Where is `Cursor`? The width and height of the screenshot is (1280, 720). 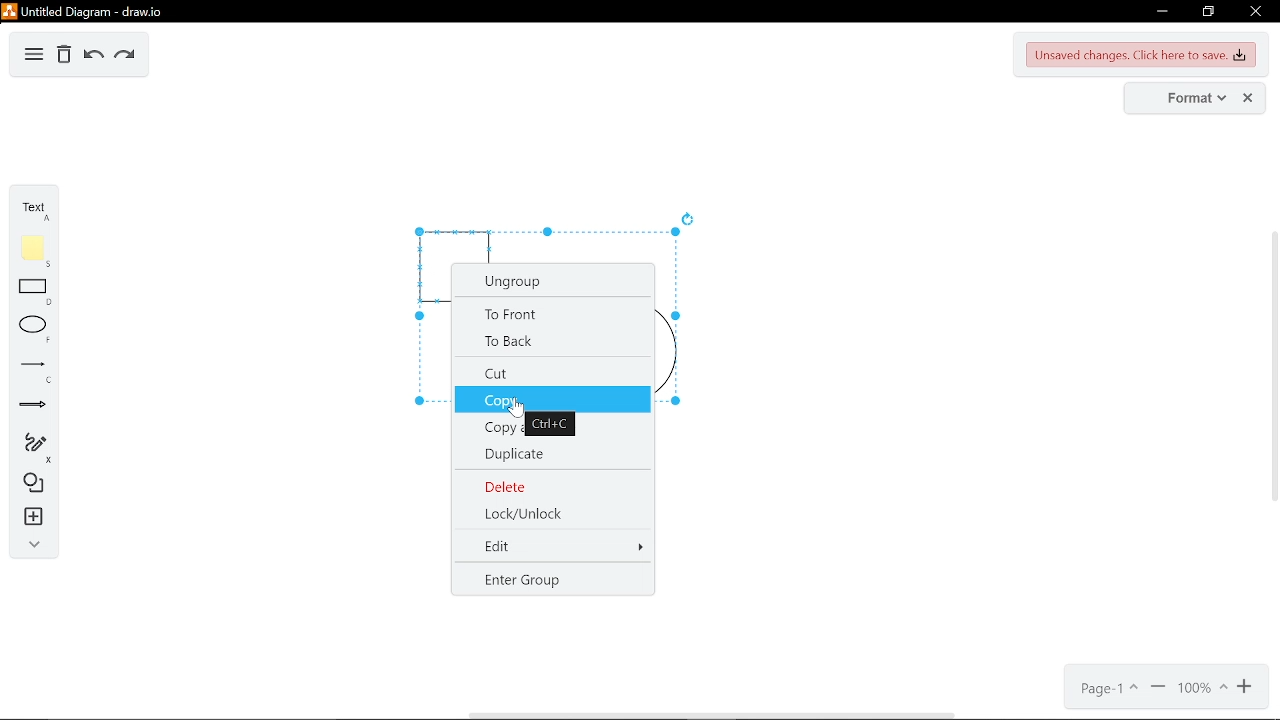
Cursor is located at coordinates (517, 408).